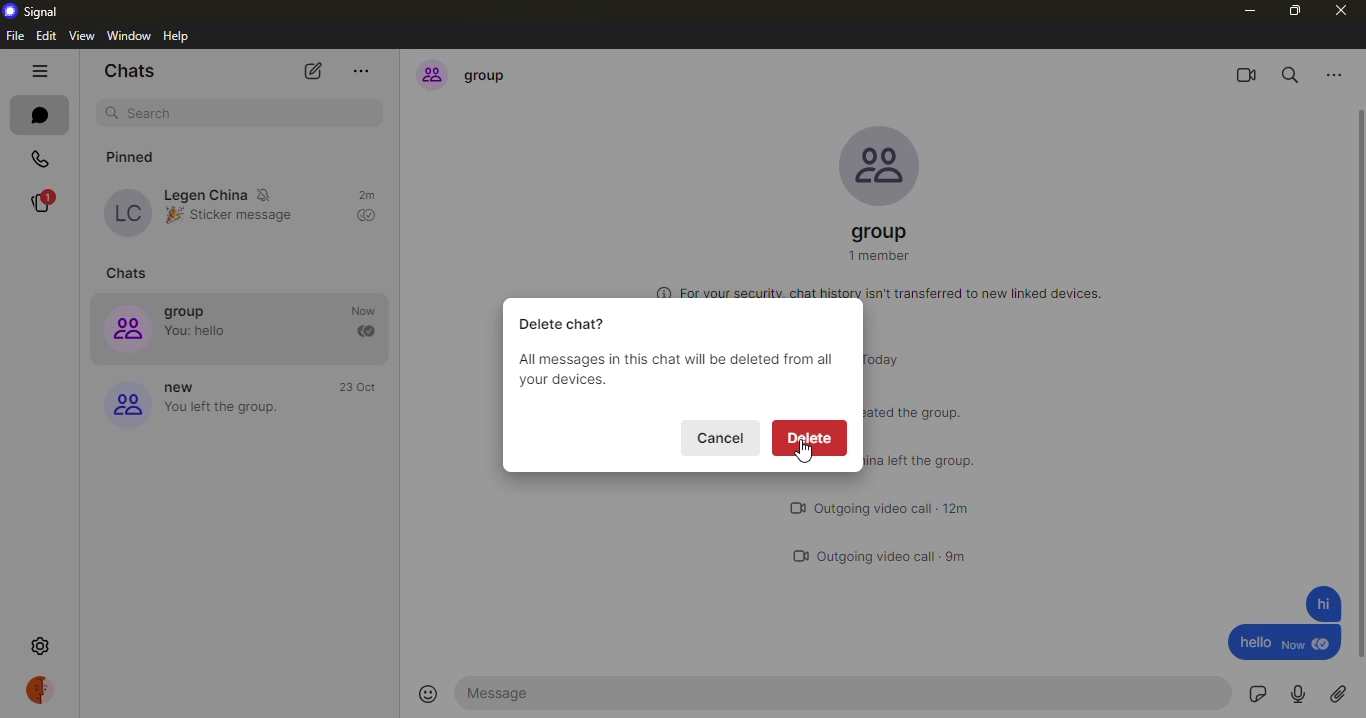  Describe the element at coordinates (188, 312) in the screenshot. I see `group` at that location.